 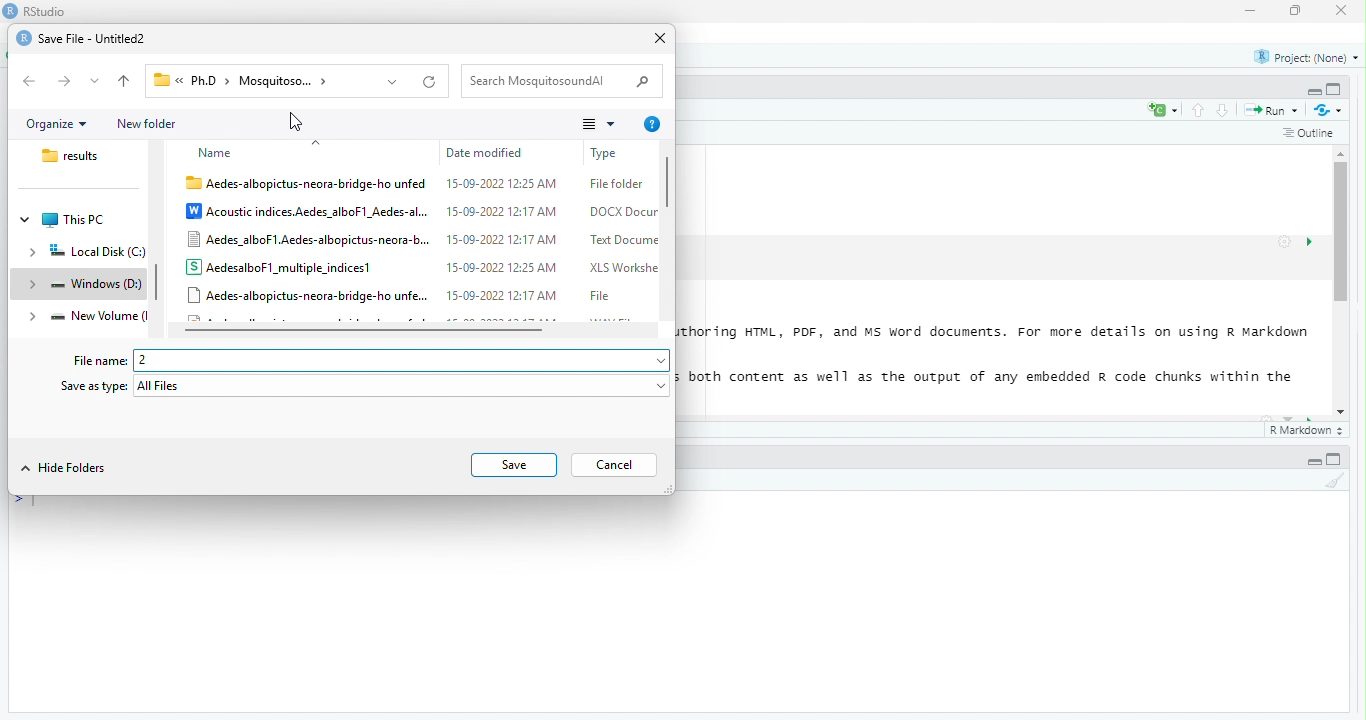 What do you see at coordinates (422, 267) in the screenshot?
I see `AedesalboF1_multiple_indices1 15-09-2022 1225AM XLS Worksheet` at bounding box center [422, 267].